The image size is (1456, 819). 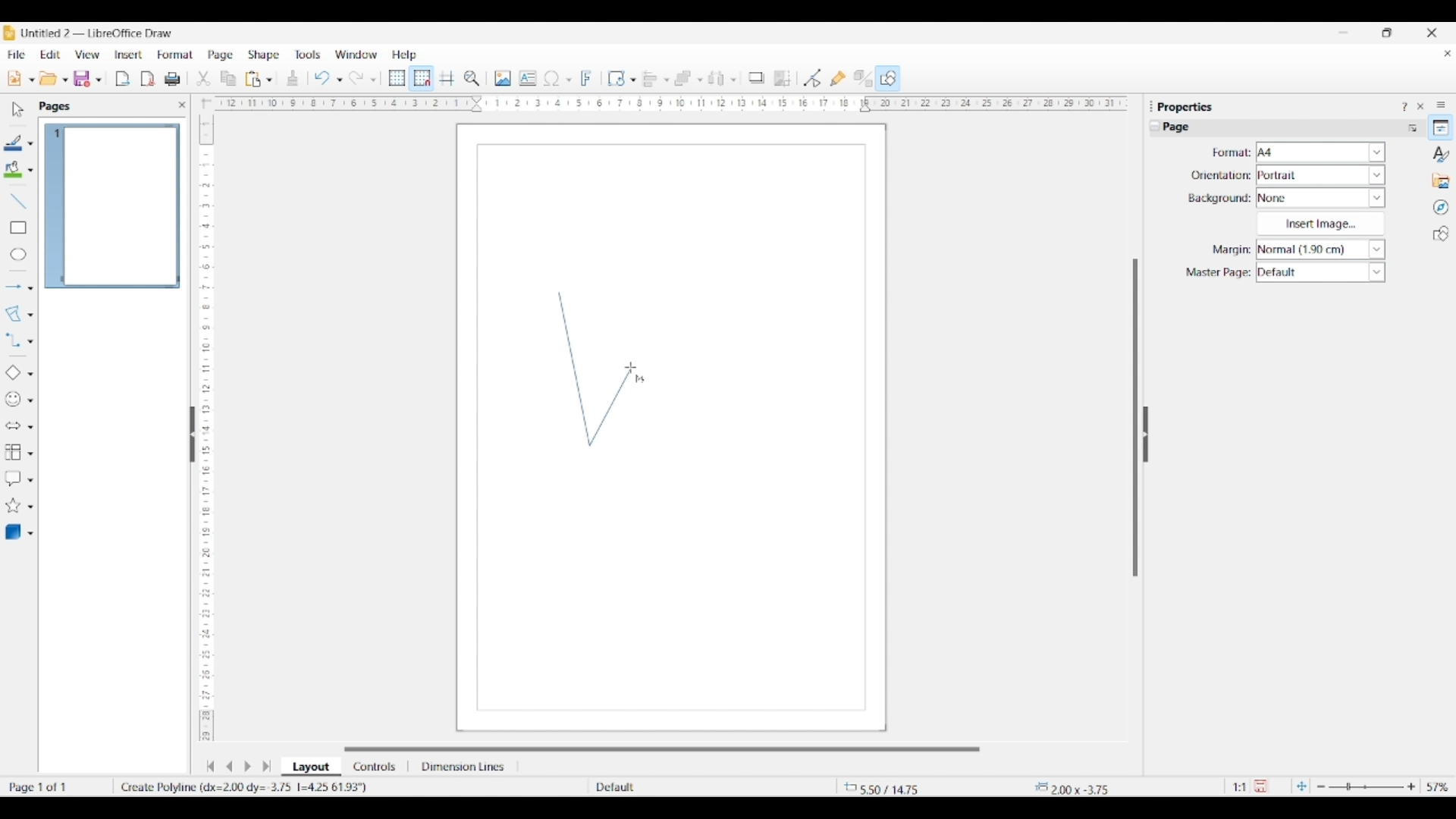 What do you see at coordinates (1321, 198) in the screenshot?
I see `Background options` at bounding box center [1321, 198].